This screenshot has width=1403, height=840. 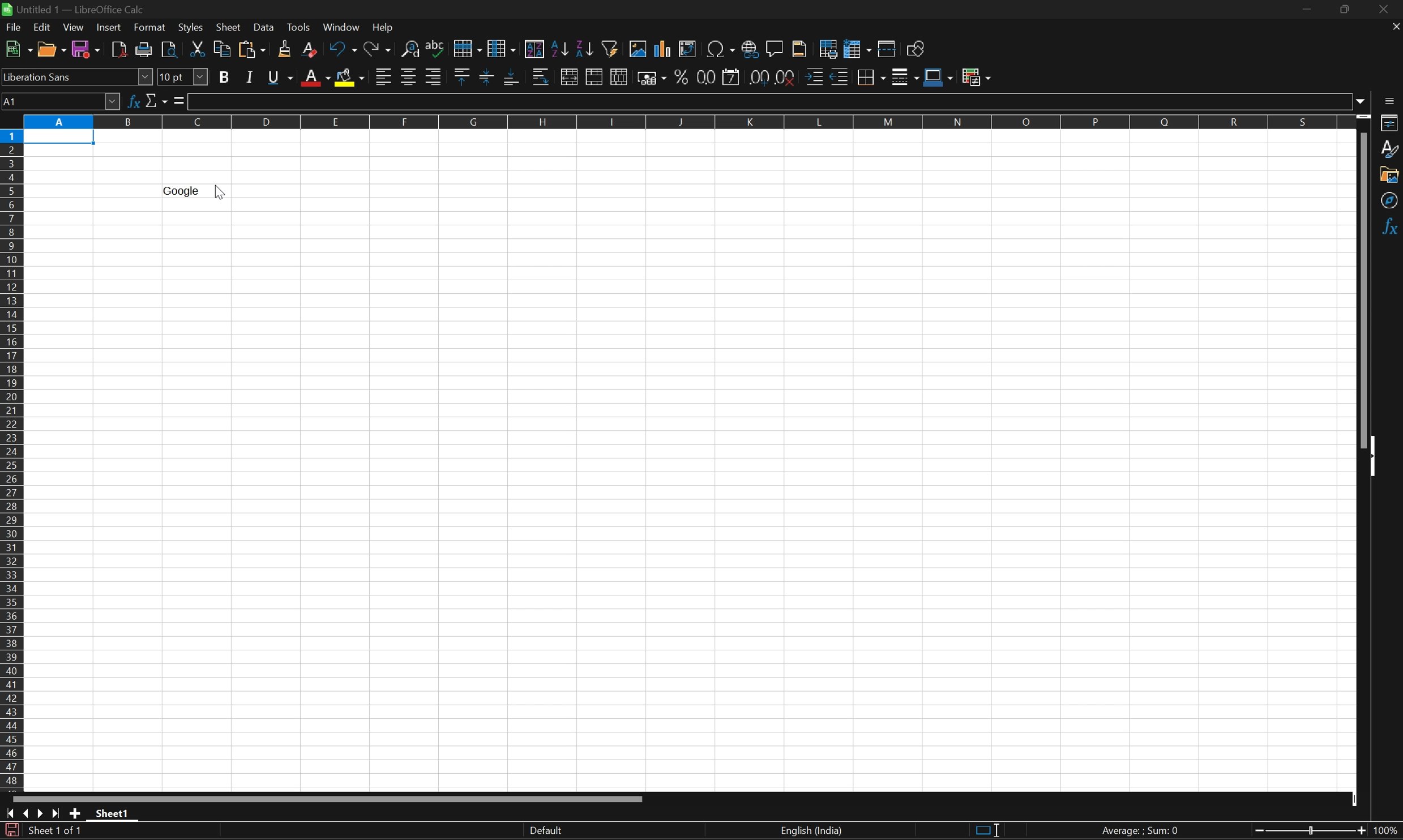 What do you see at coordinates (136, 101) in the screenshot?
I see `Function wizard` at bounding box center [136, 101].